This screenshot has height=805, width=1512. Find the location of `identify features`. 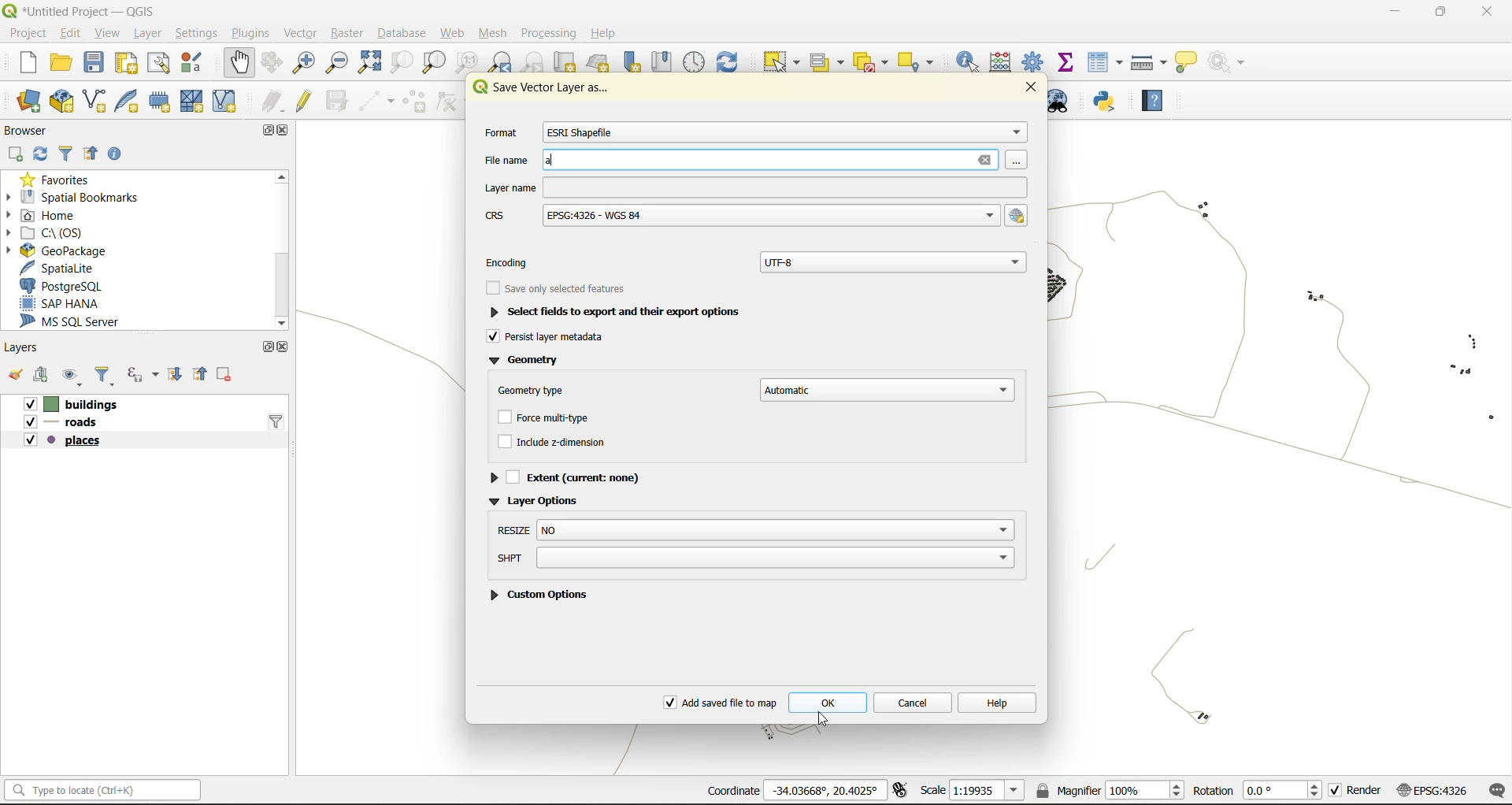

identify features is located at coordinates (972, 61).